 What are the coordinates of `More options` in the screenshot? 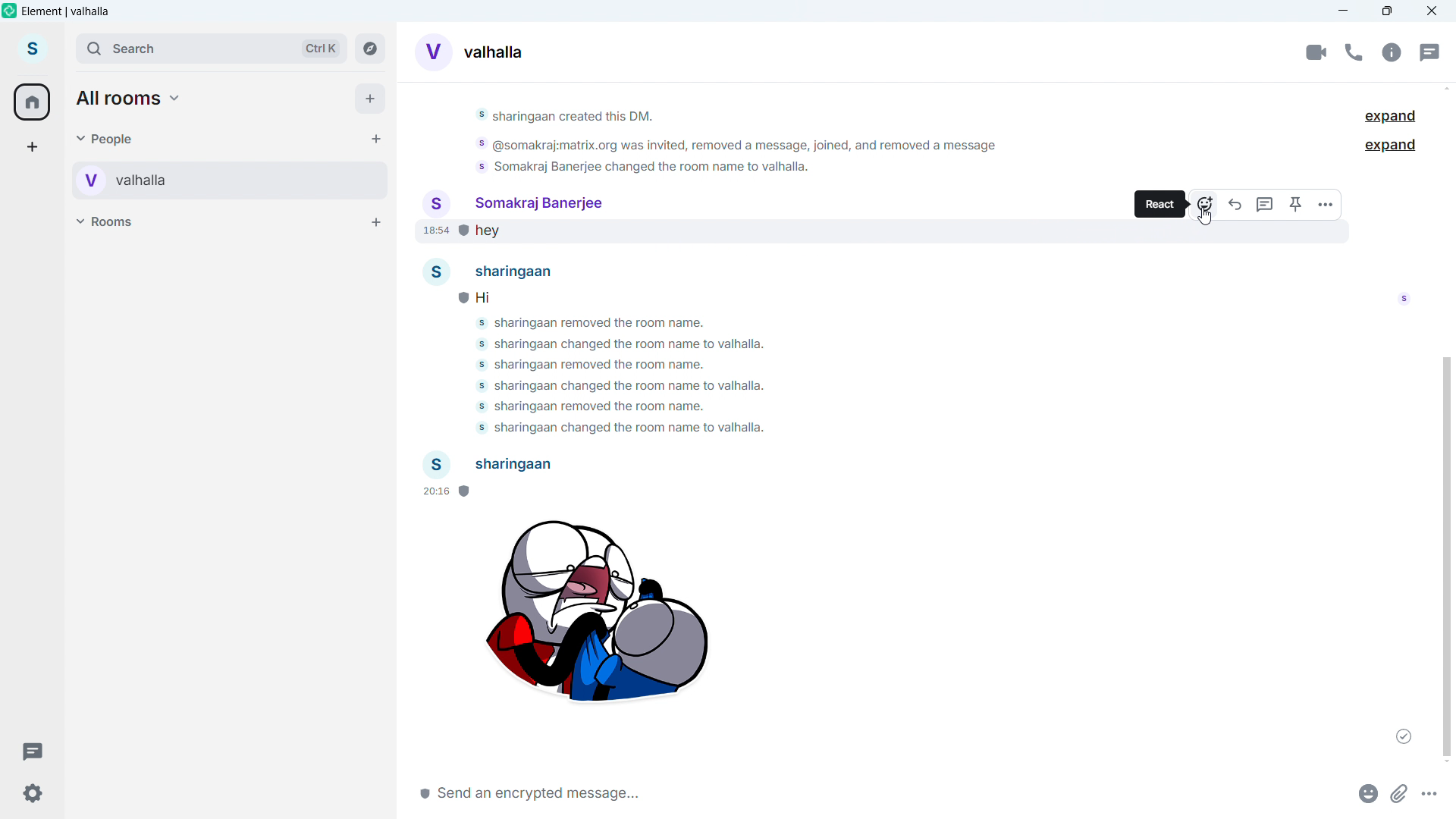 It's located at (1432, 792).